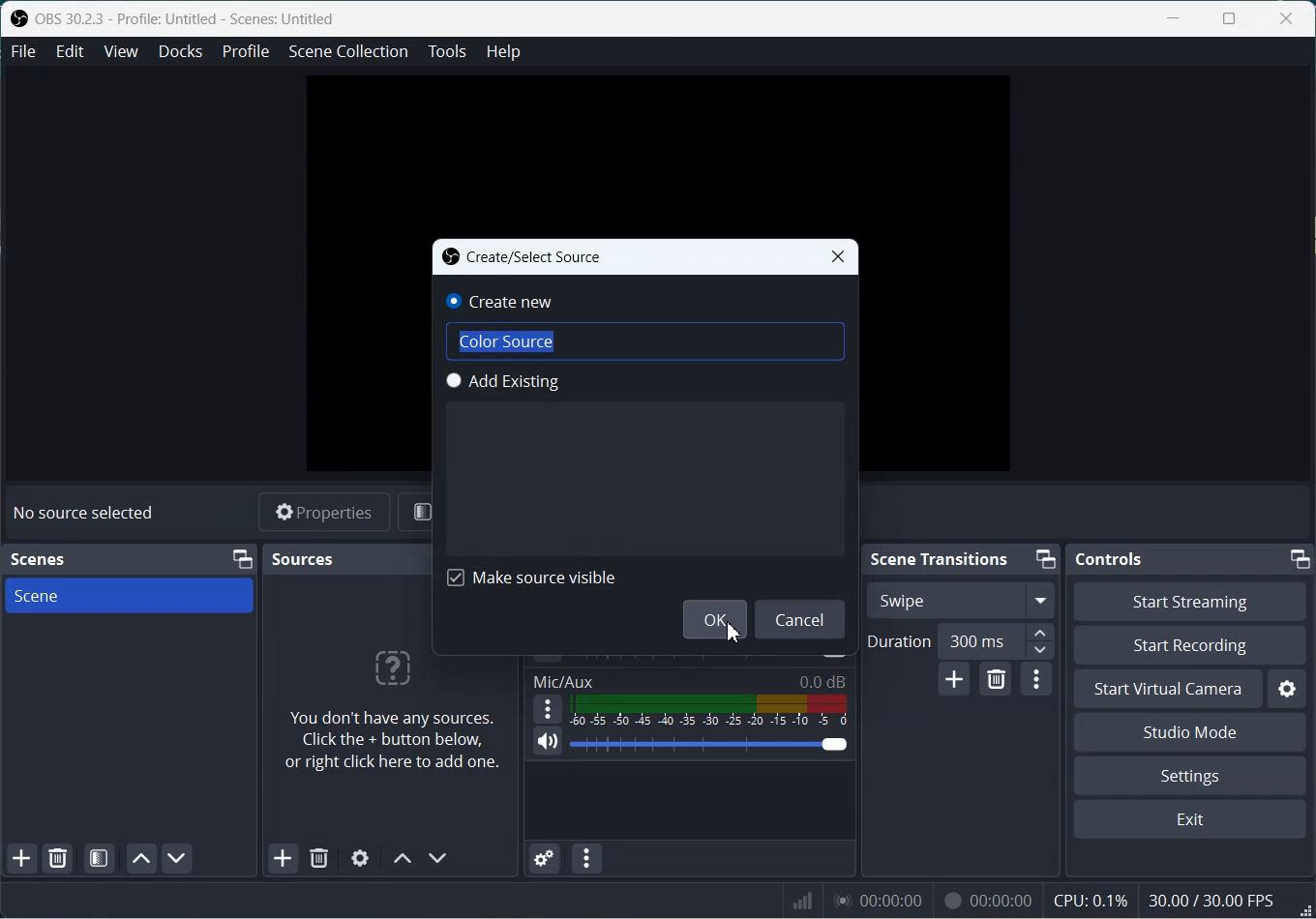 Image resolution: width=1316 pixels, height=919 pixels. Describe the element at coordinates (985, 899) in the screenshot. I see `00:00:00` at that location.